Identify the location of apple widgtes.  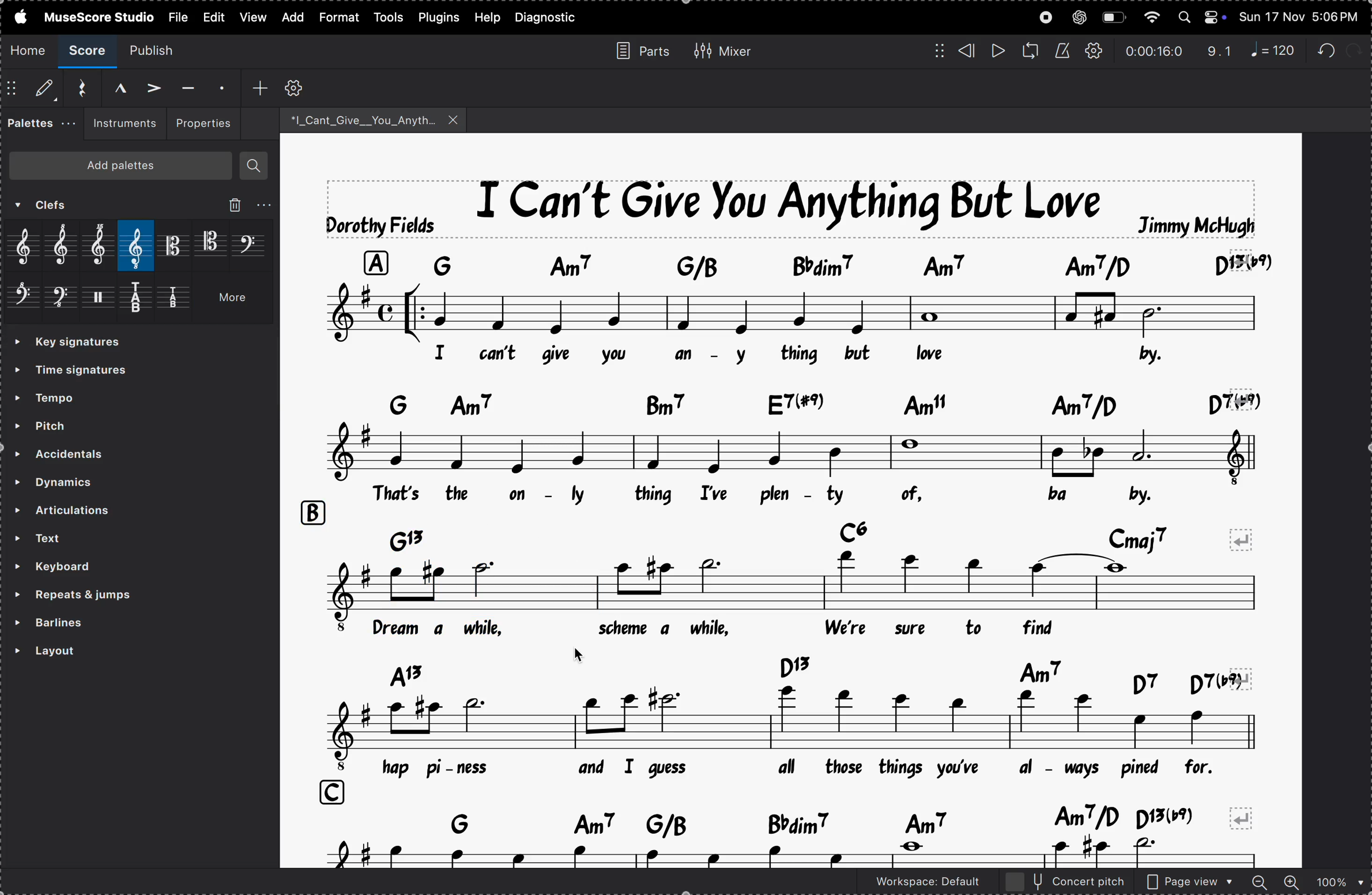
(1203, 17).